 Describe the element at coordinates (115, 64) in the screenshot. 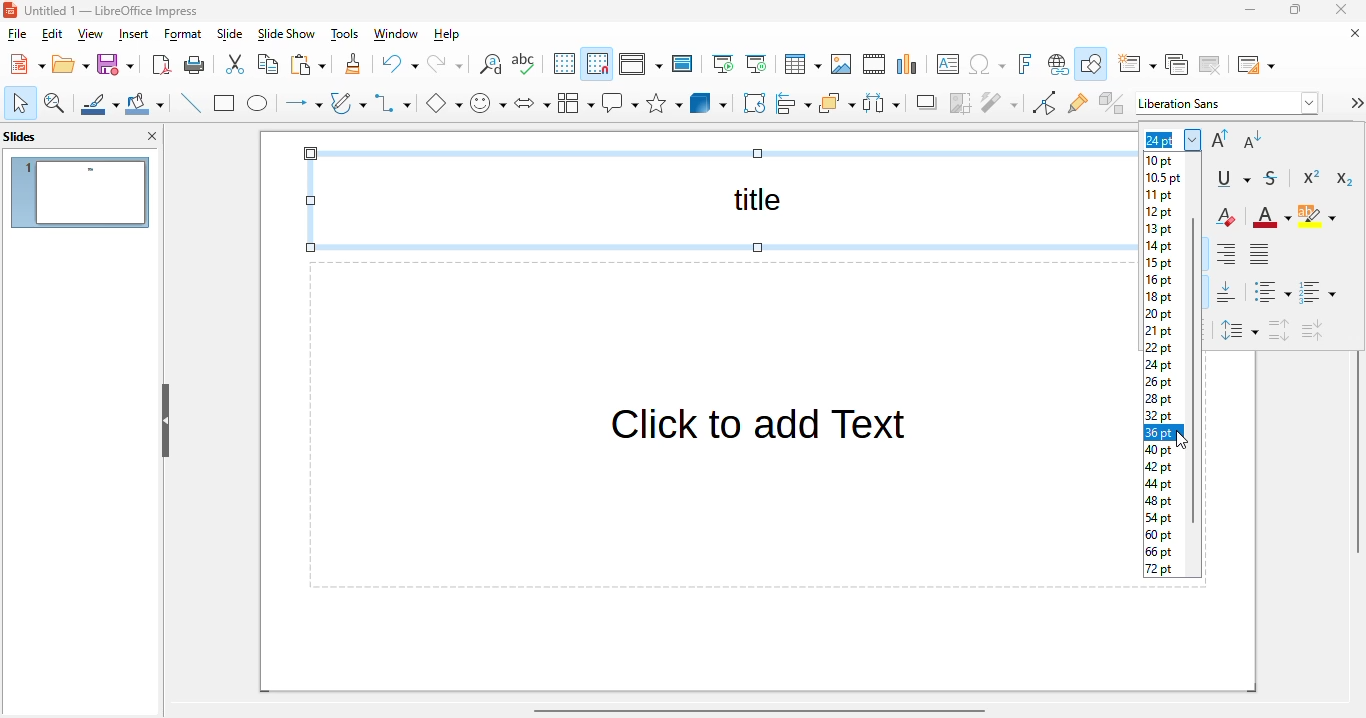

I see `save` at that location.